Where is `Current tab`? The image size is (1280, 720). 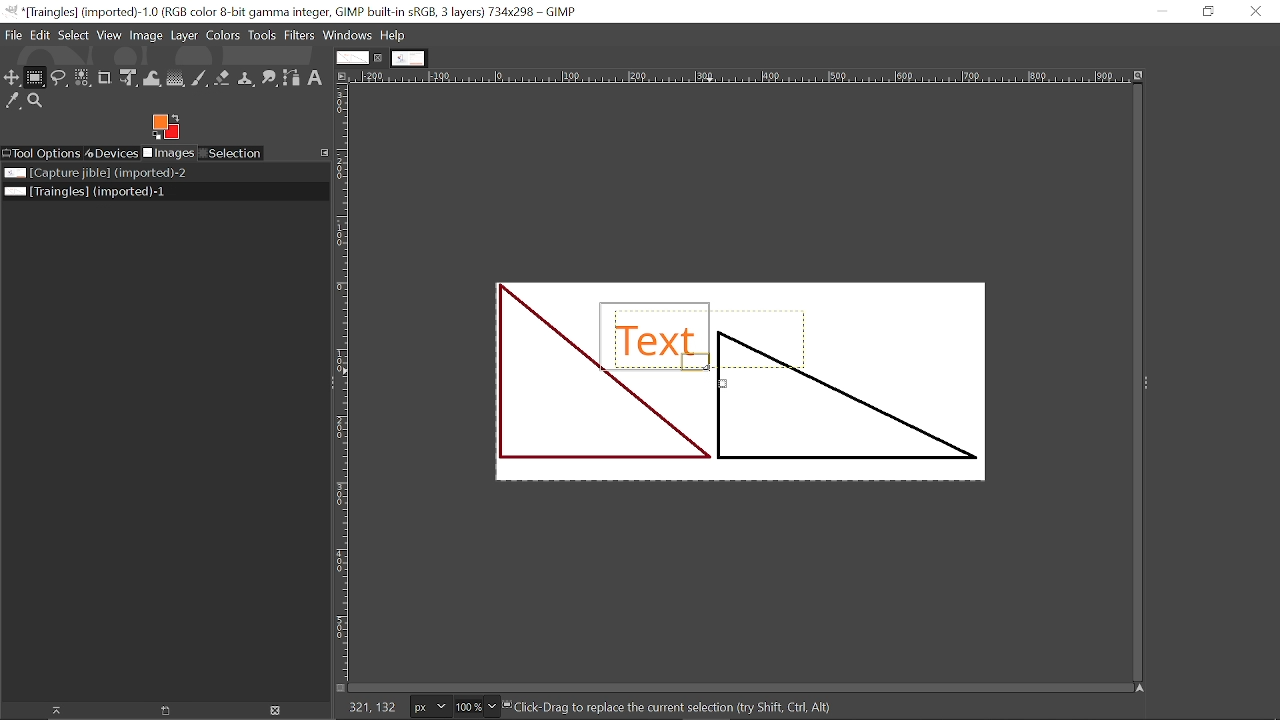
Current tab is located at coordinates (351, 58).